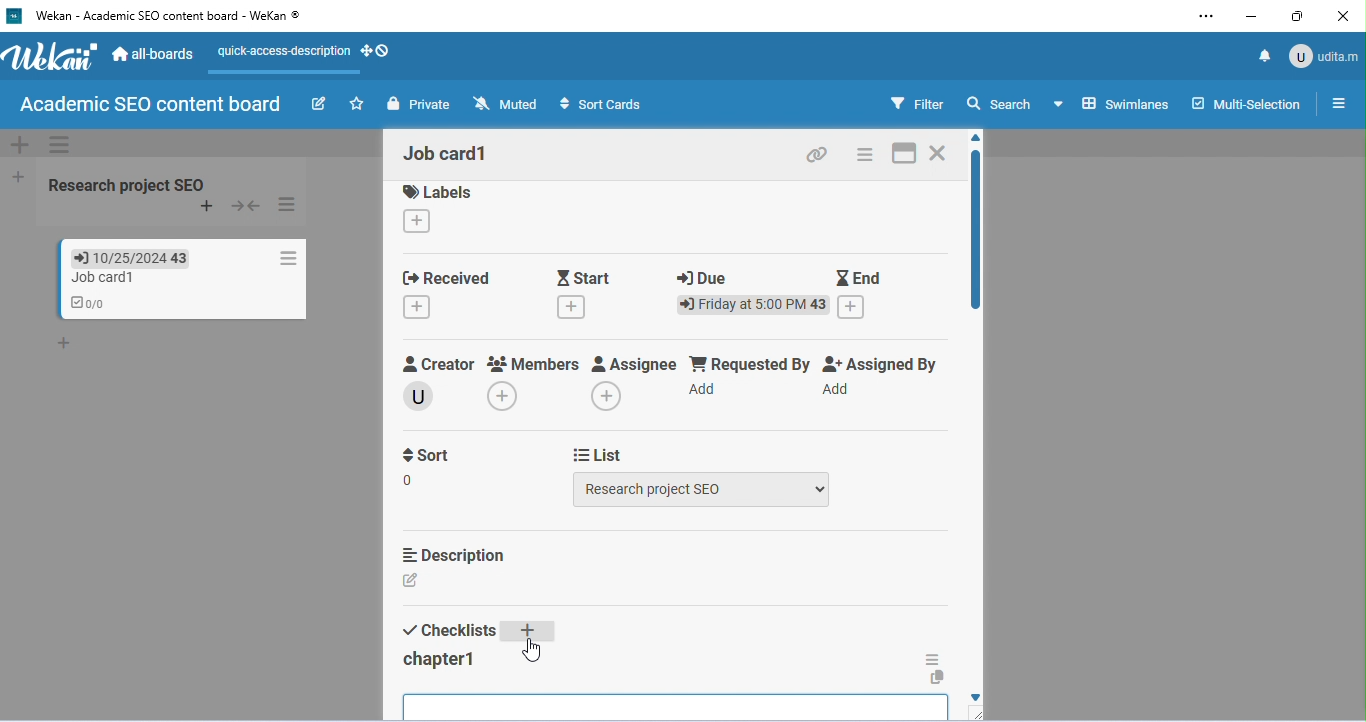  I want to click on card actions, so click(284, 258).